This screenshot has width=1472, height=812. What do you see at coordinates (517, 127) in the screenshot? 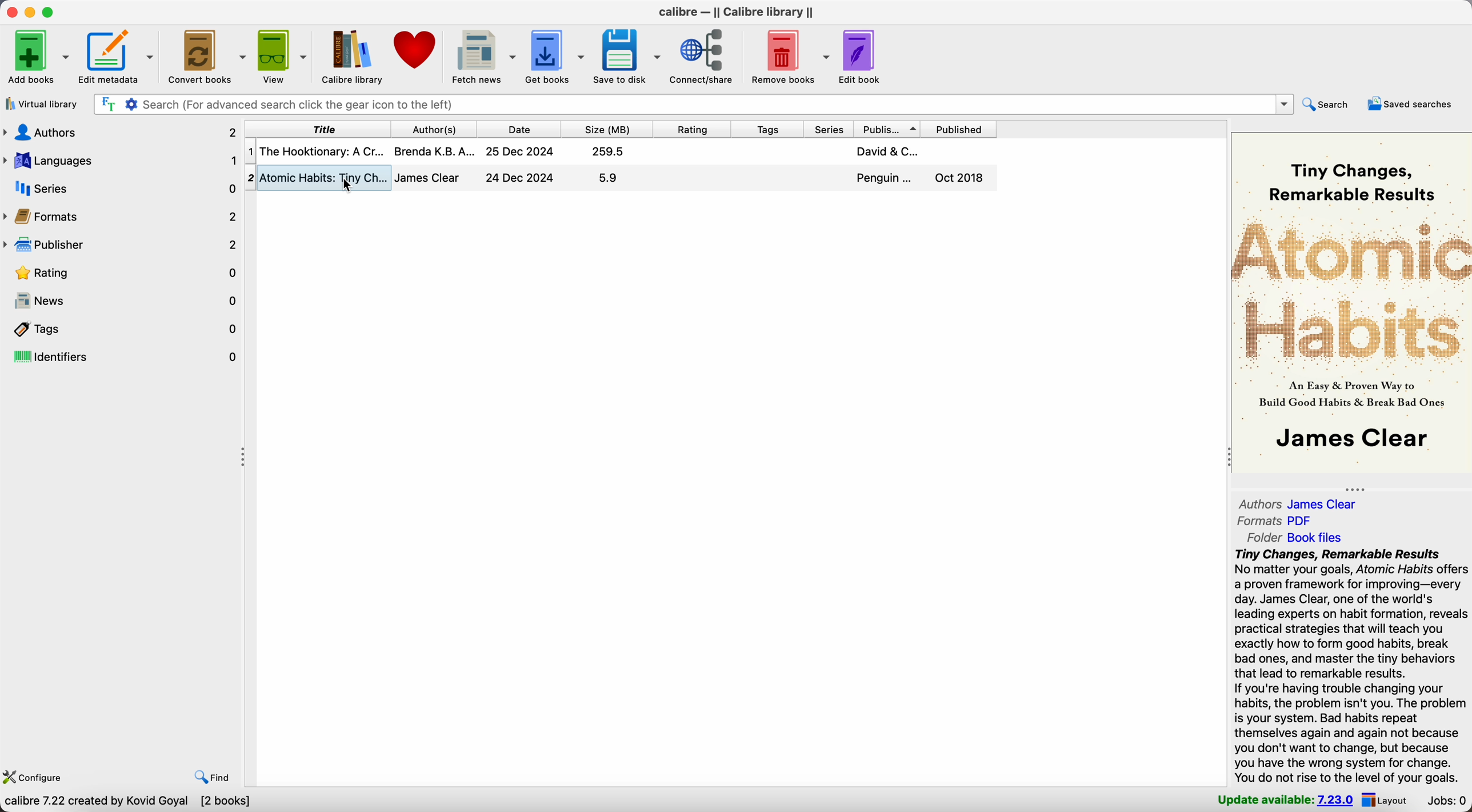
I see `date` at bounding box center [517, 127].